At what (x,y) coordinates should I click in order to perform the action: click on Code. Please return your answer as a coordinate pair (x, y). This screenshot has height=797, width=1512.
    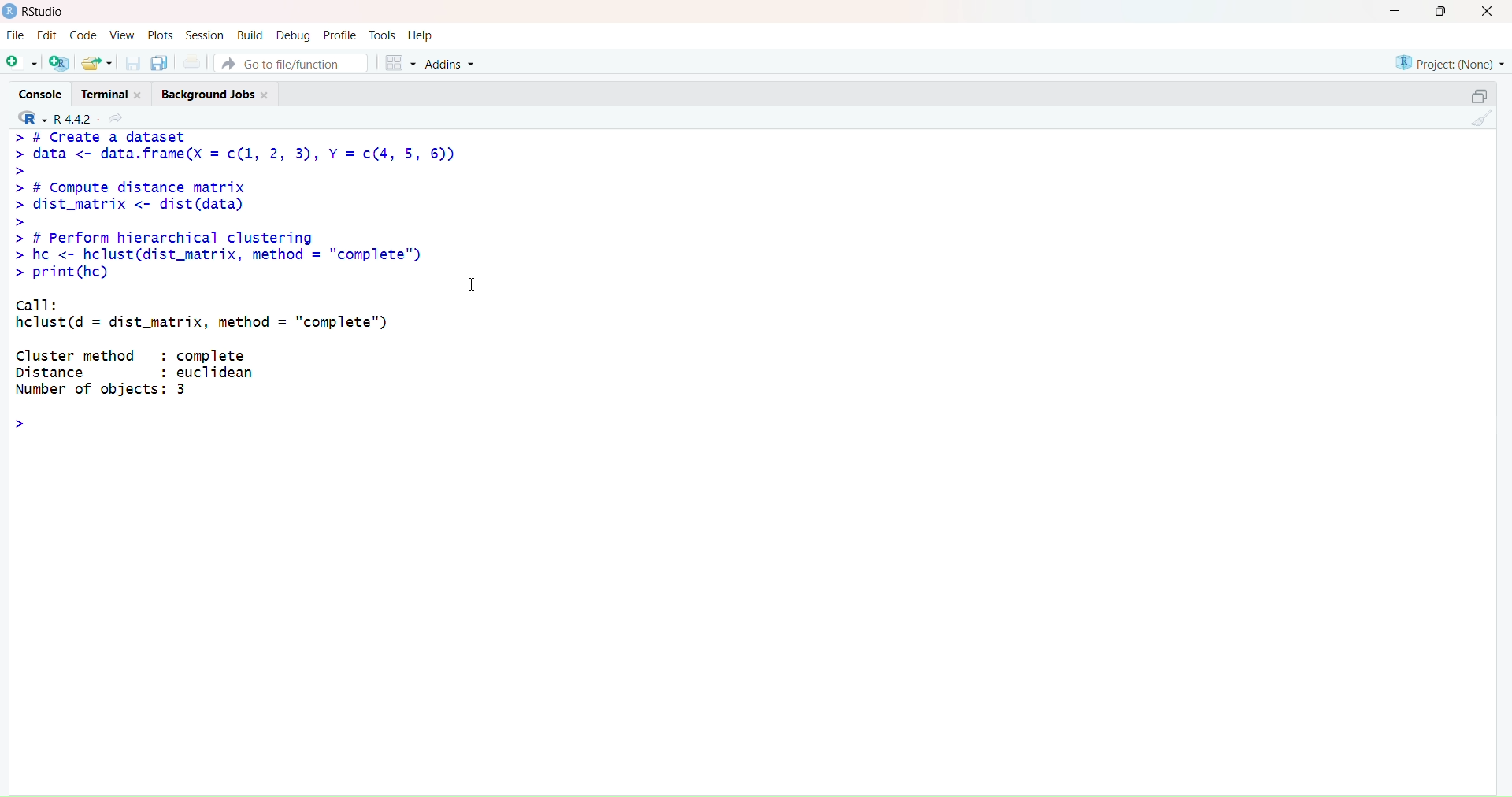
    Looking at the image, I should click on (84, 36).